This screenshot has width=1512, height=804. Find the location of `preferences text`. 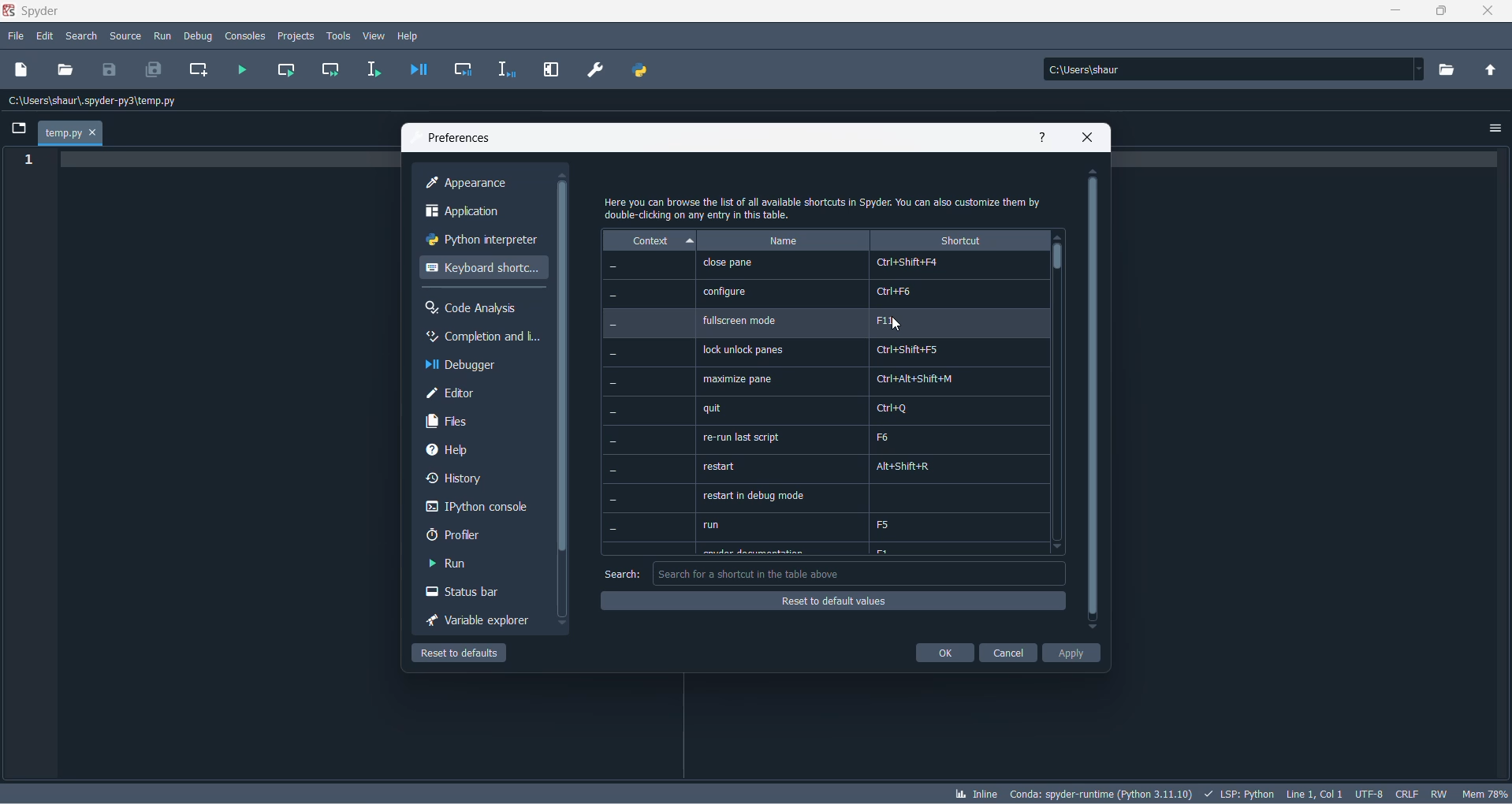

preferences text is located at coordinates (458, 139).